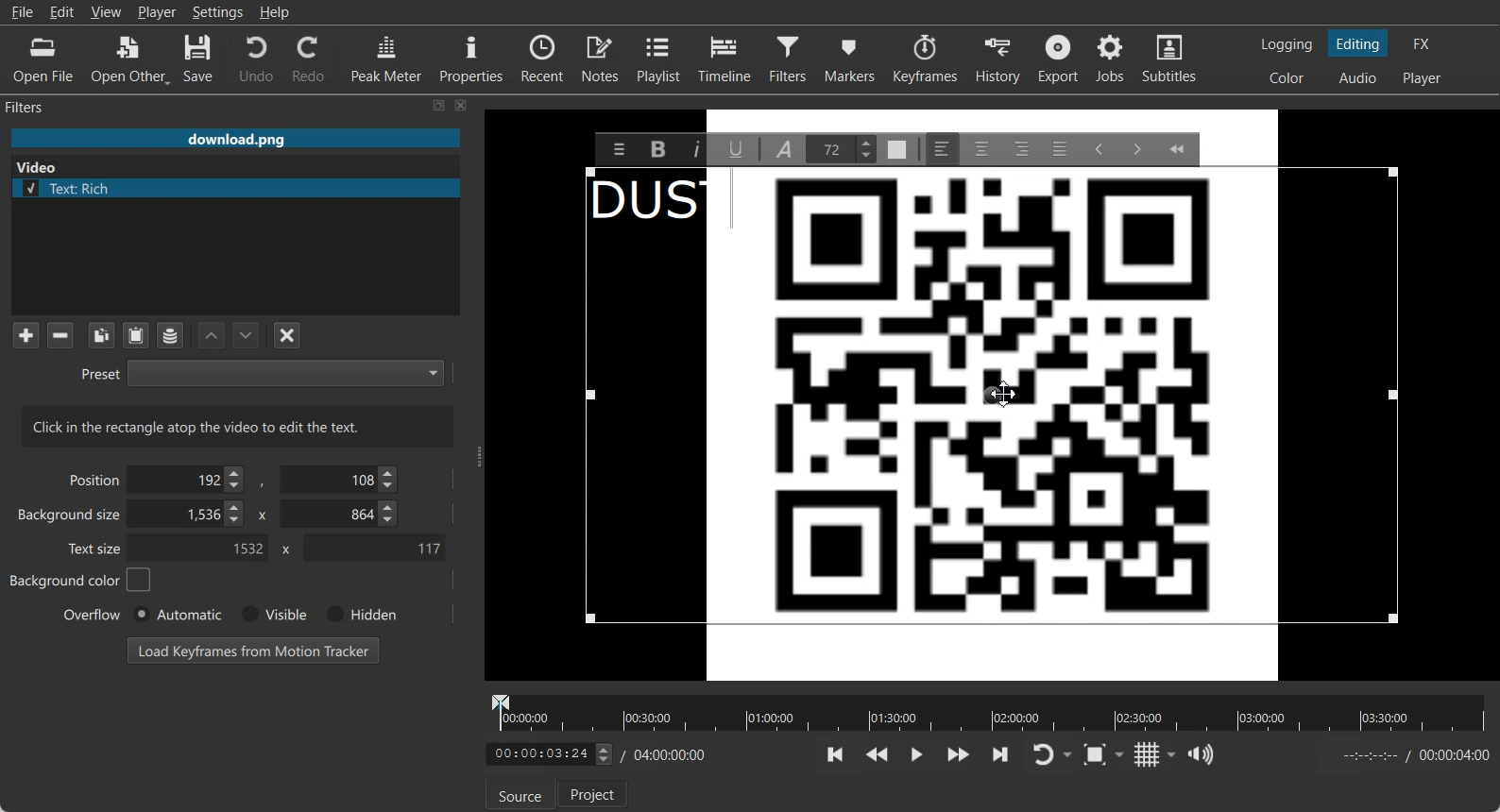  What do you see at coordinates (106, 11) in the screenshot?
I see `View` at bounding box center [106, 11].